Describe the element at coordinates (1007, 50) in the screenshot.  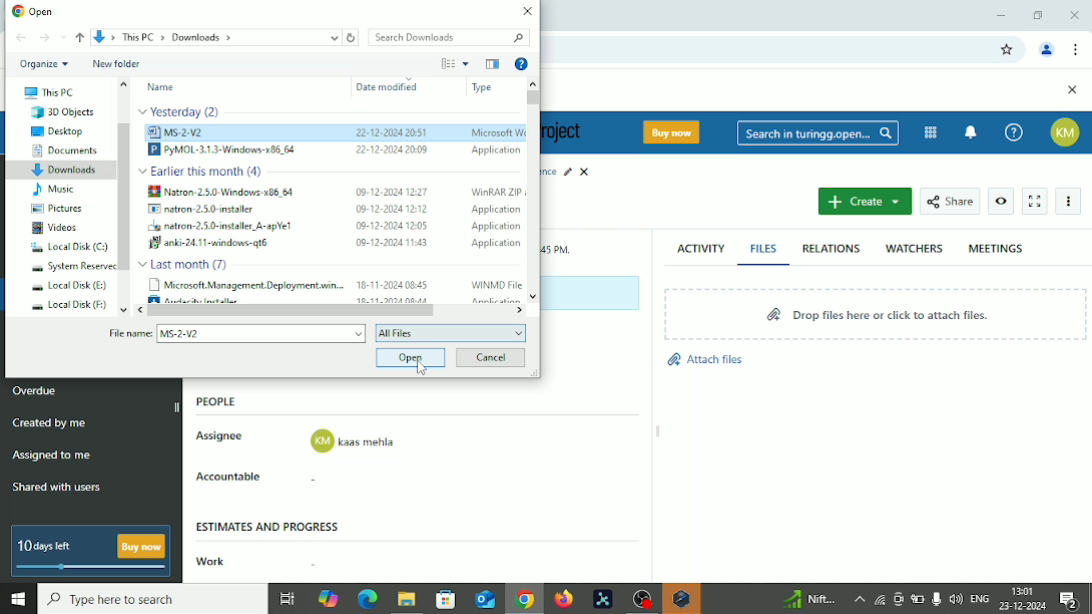
I see `Bookmark this tab` at that location.